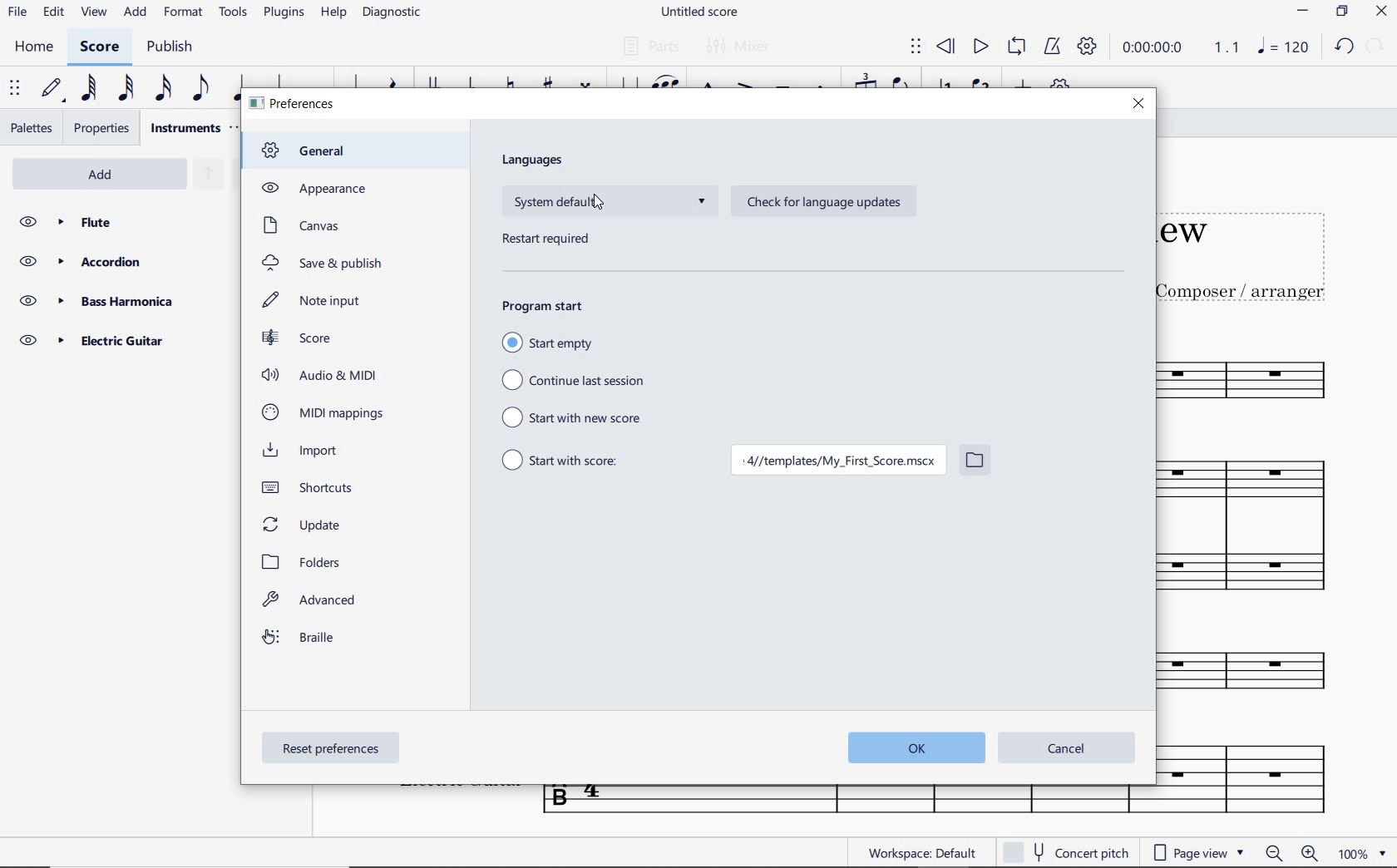 Image resolution: width=1397 pixels, height=868 pixels. Describe the element at coordinates (310, 188) in the screenshot. I see `appearance` at that location.